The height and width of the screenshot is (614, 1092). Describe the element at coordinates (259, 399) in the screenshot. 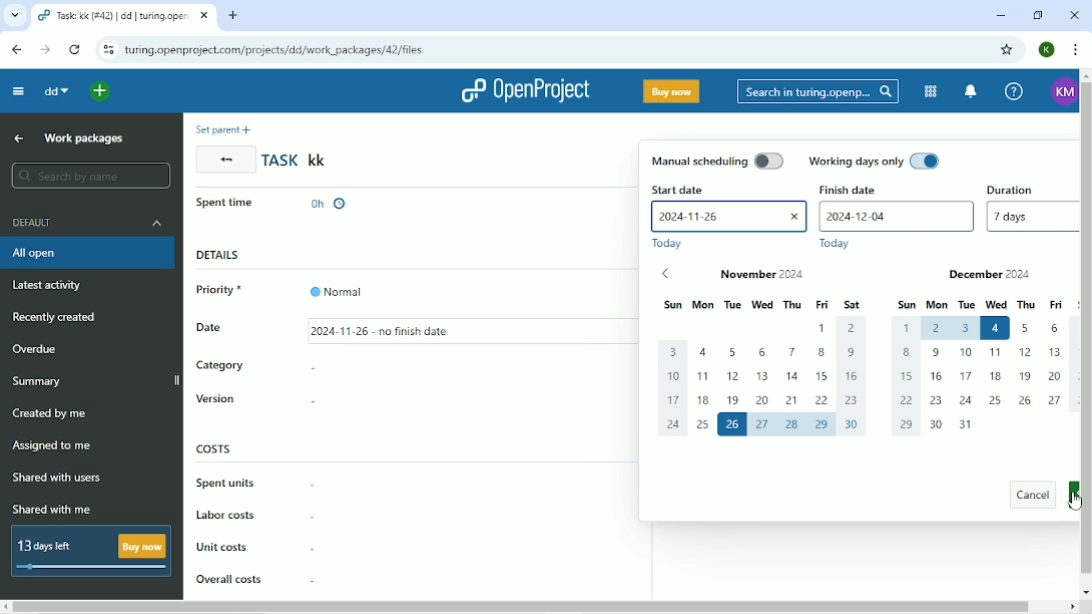

I see `Version` at that location.